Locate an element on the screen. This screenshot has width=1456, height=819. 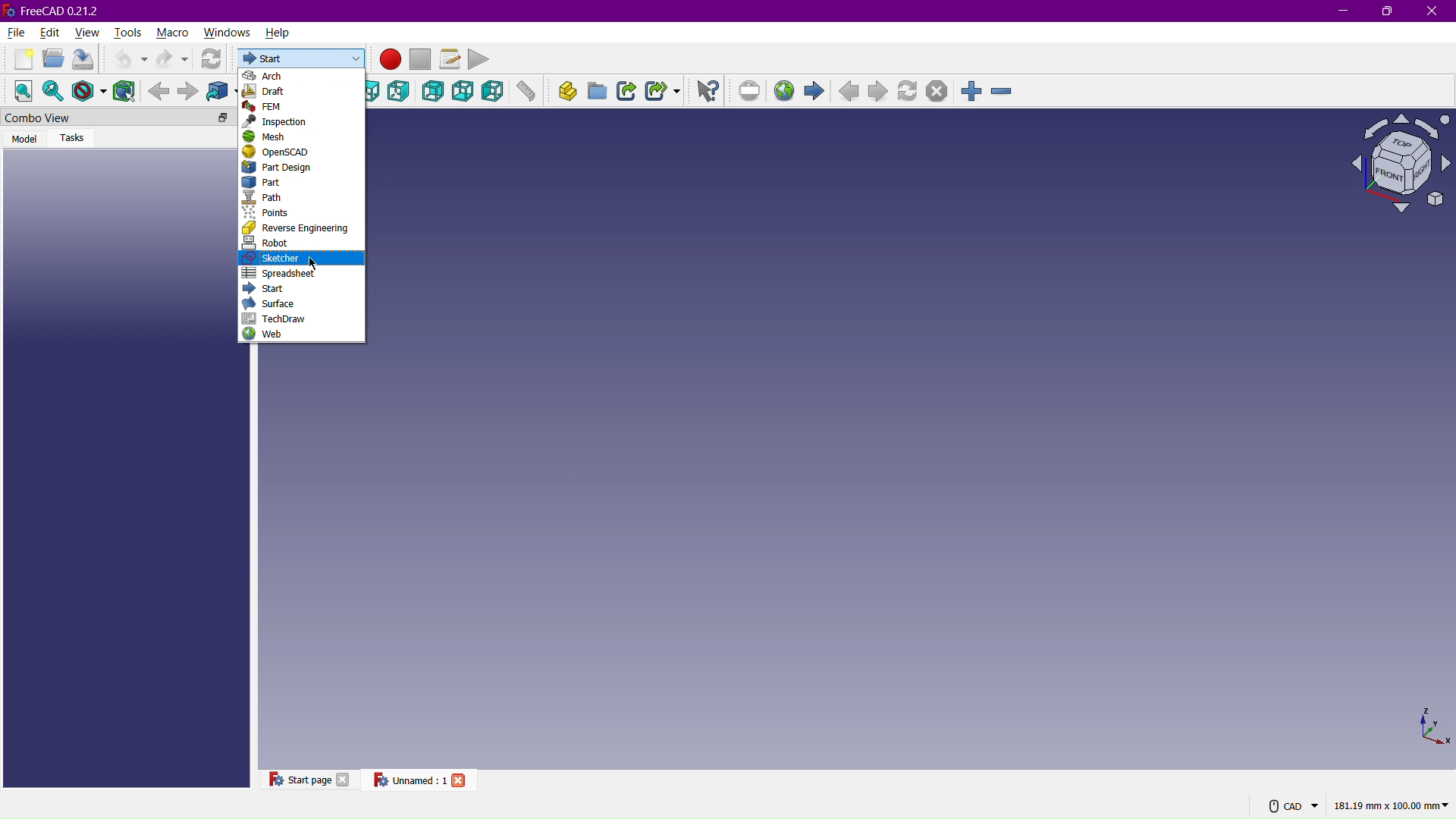
Next page is located at coordinates (880, 93).